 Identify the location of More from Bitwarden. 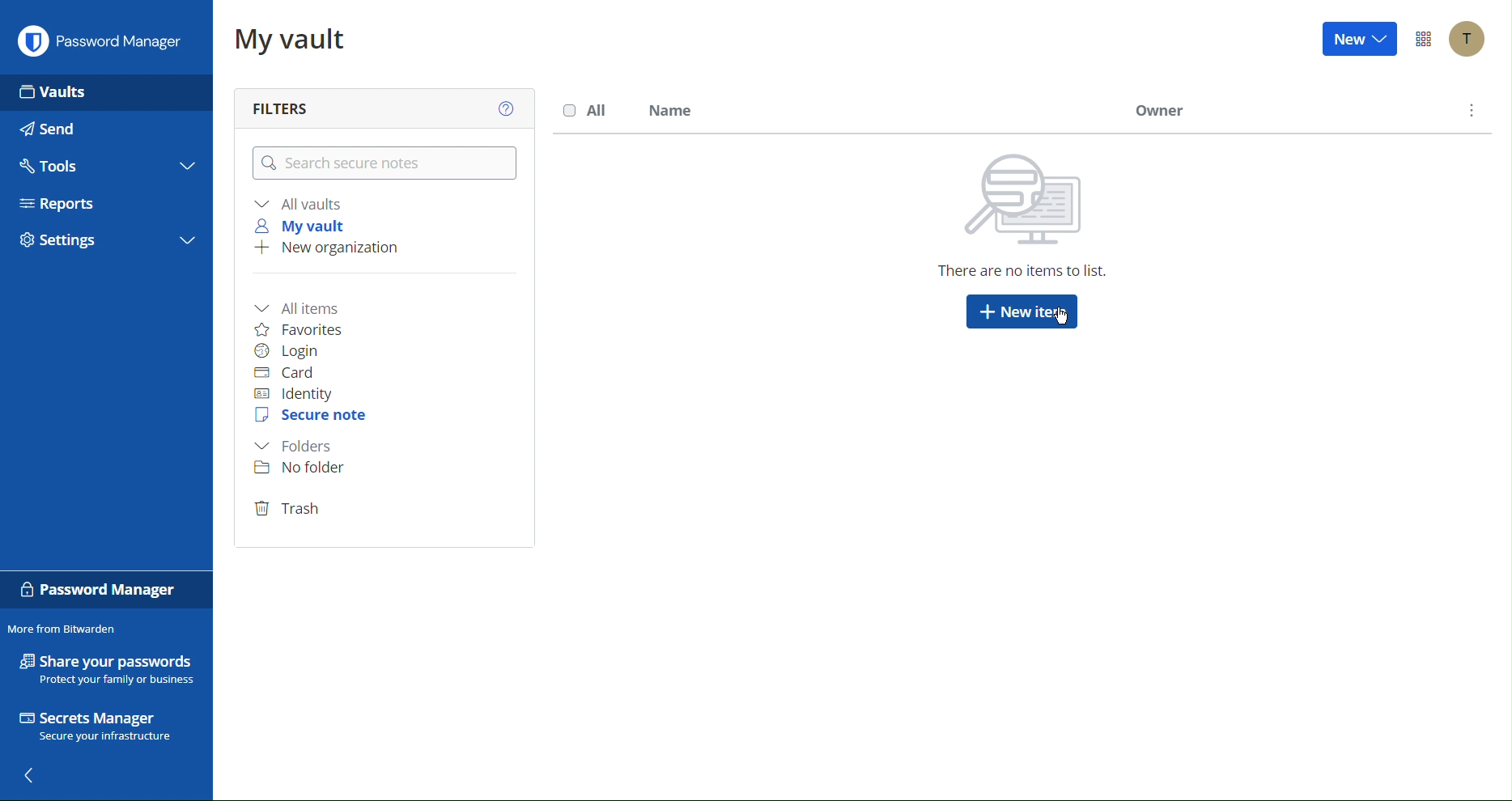
(67, 628).